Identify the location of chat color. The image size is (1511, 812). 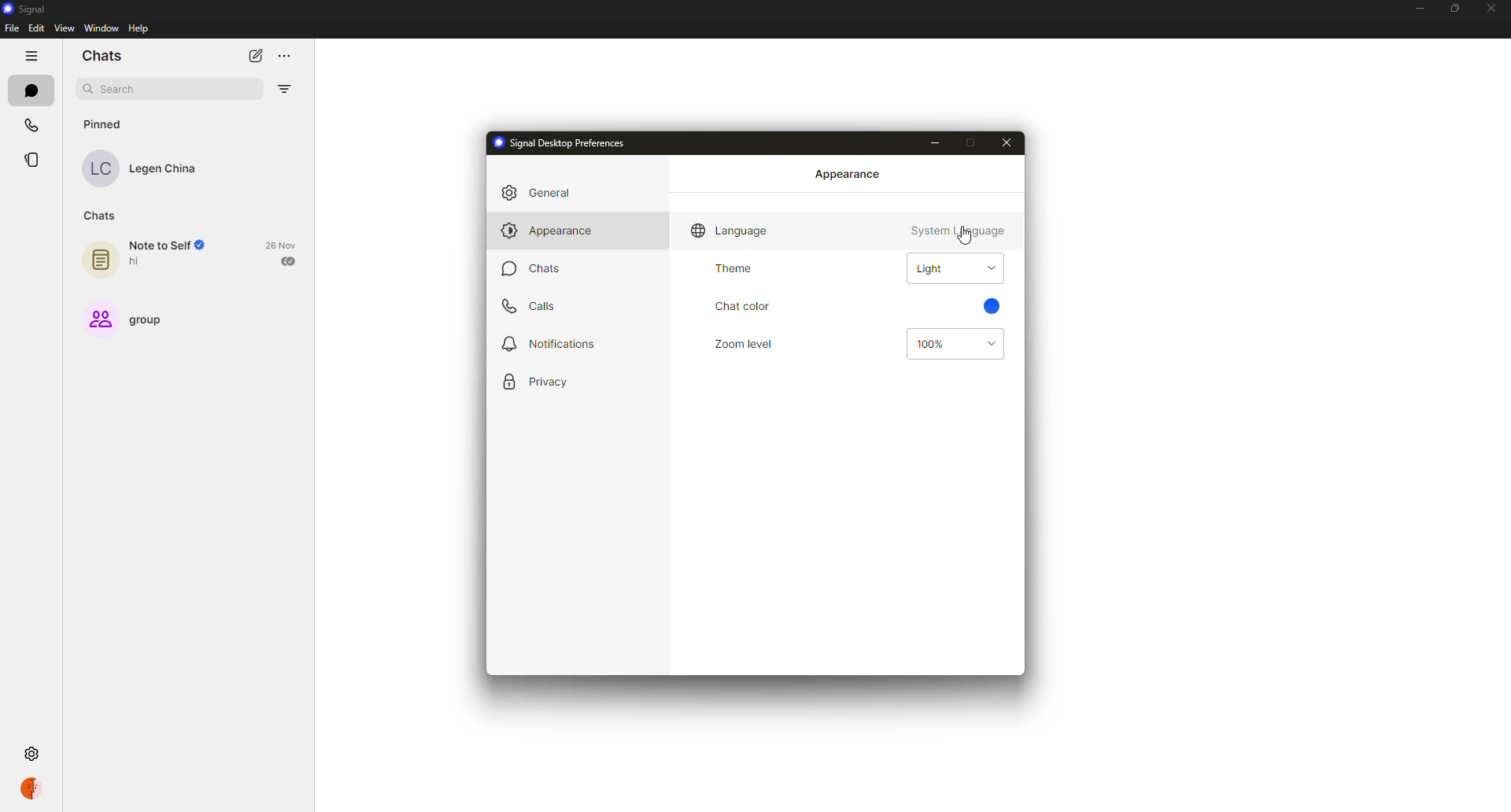
(744, 305).